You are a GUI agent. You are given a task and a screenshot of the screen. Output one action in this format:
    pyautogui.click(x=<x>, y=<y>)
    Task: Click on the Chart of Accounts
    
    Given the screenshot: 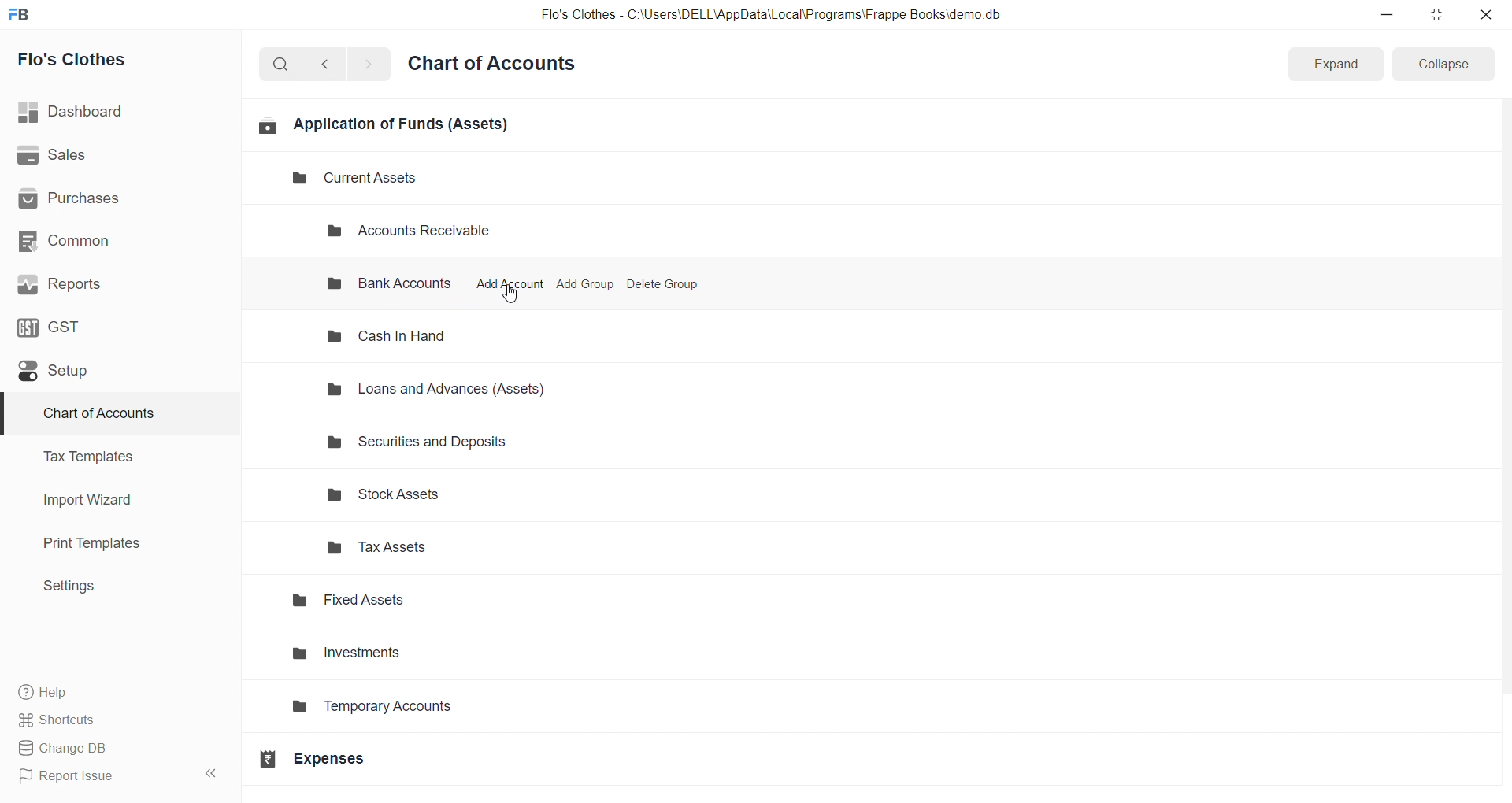 What is the action you would take?
    pyautogui.click(x=110, y=414)
    